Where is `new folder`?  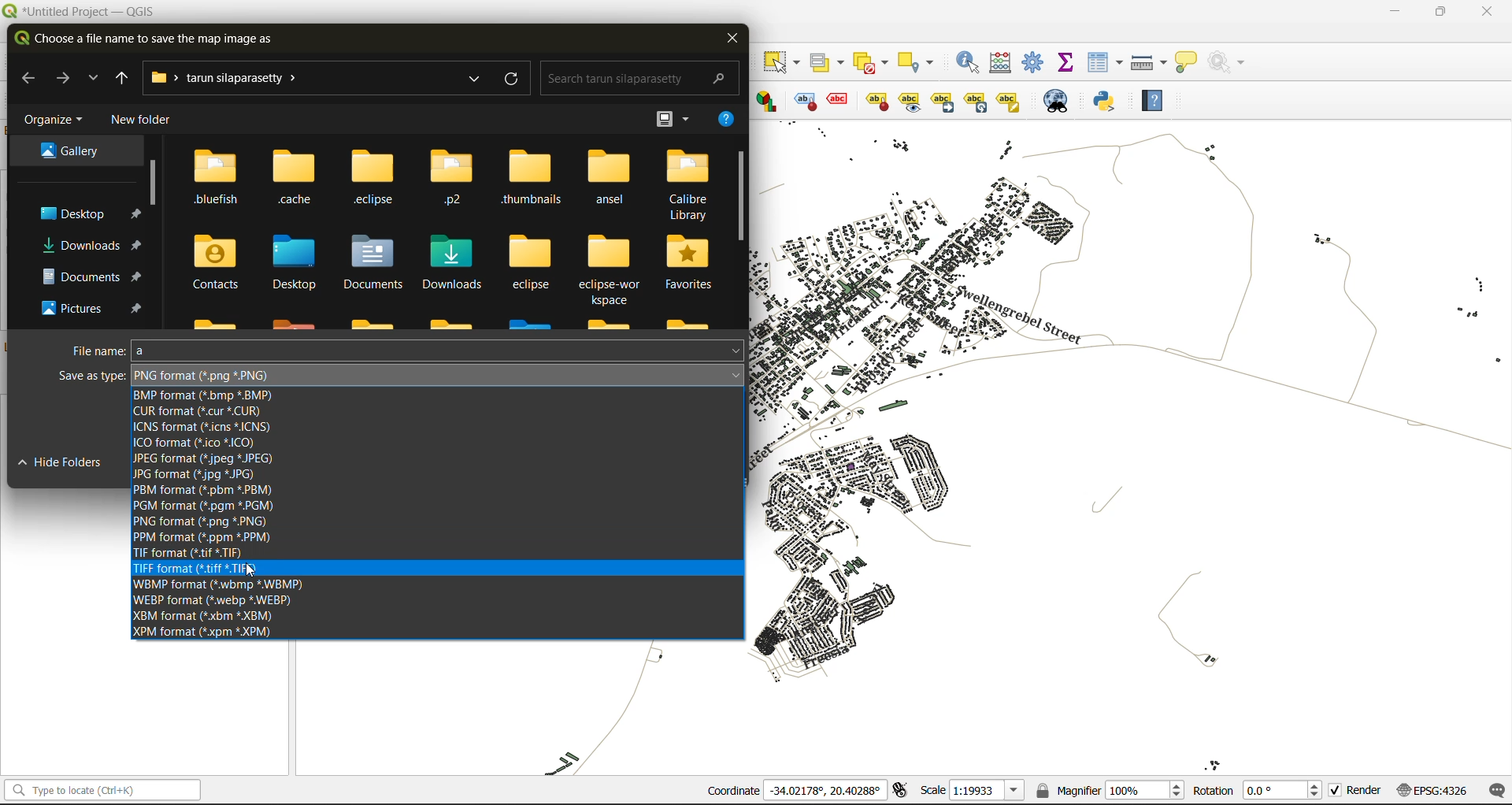
new folder is located at coordinates (139, 121).